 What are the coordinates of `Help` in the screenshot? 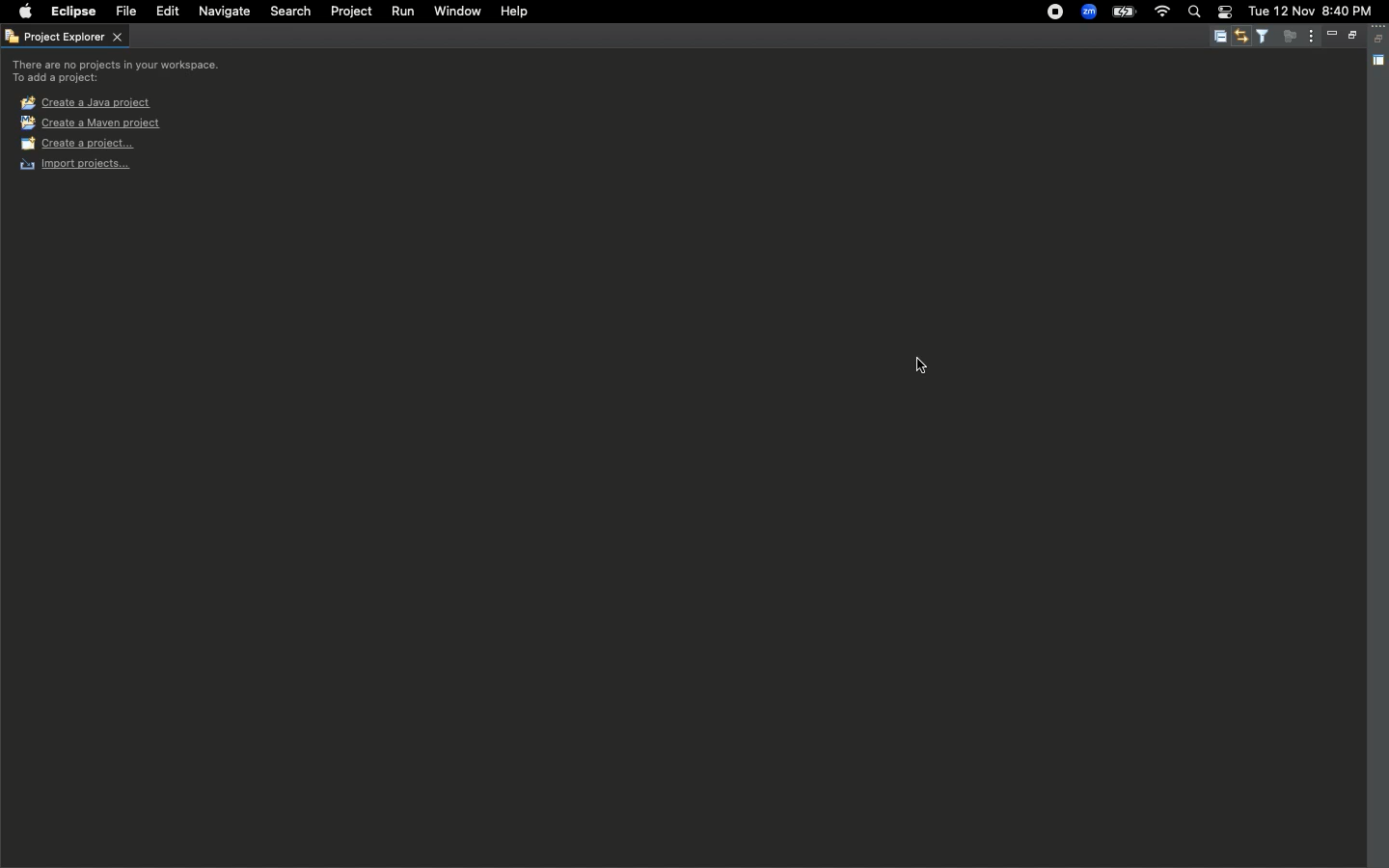 It's located at (516, 13).